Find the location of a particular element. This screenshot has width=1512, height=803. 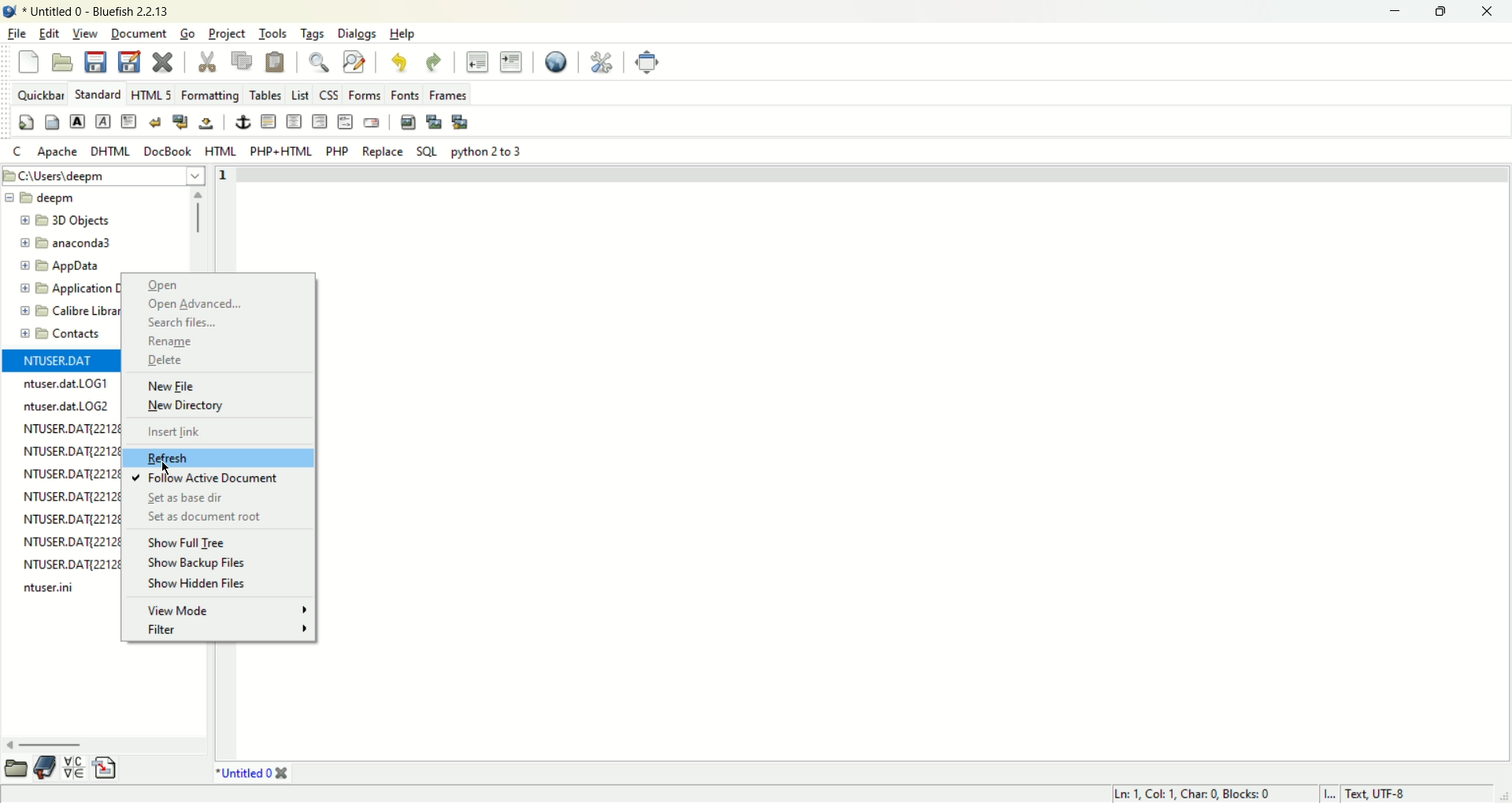

apache is located at coordinates (59, 152).